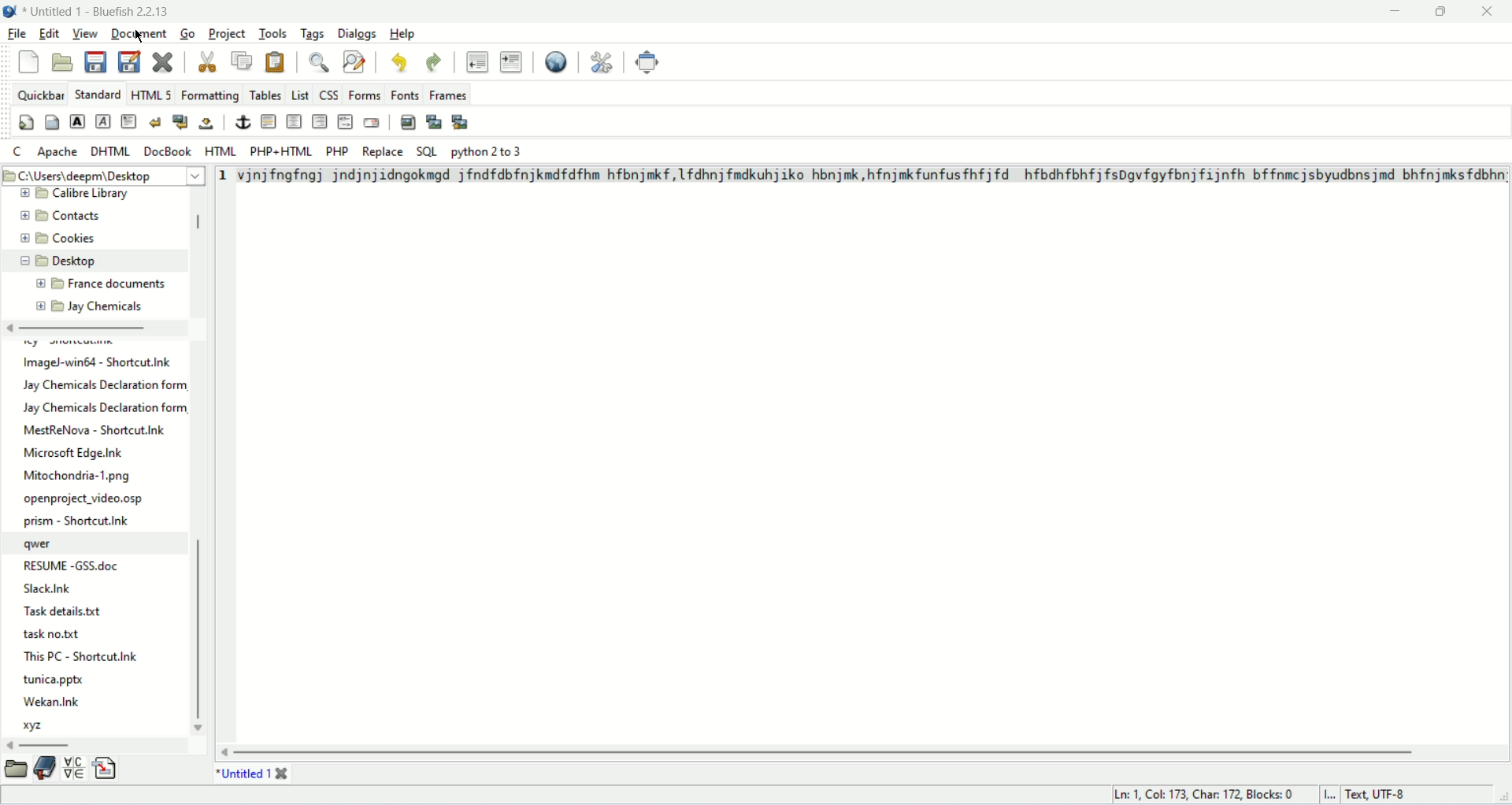 This screenshot has height=805, width=1512. Describe the element at coordinates (300, 94) in the screenshot. I see `list` at that location.